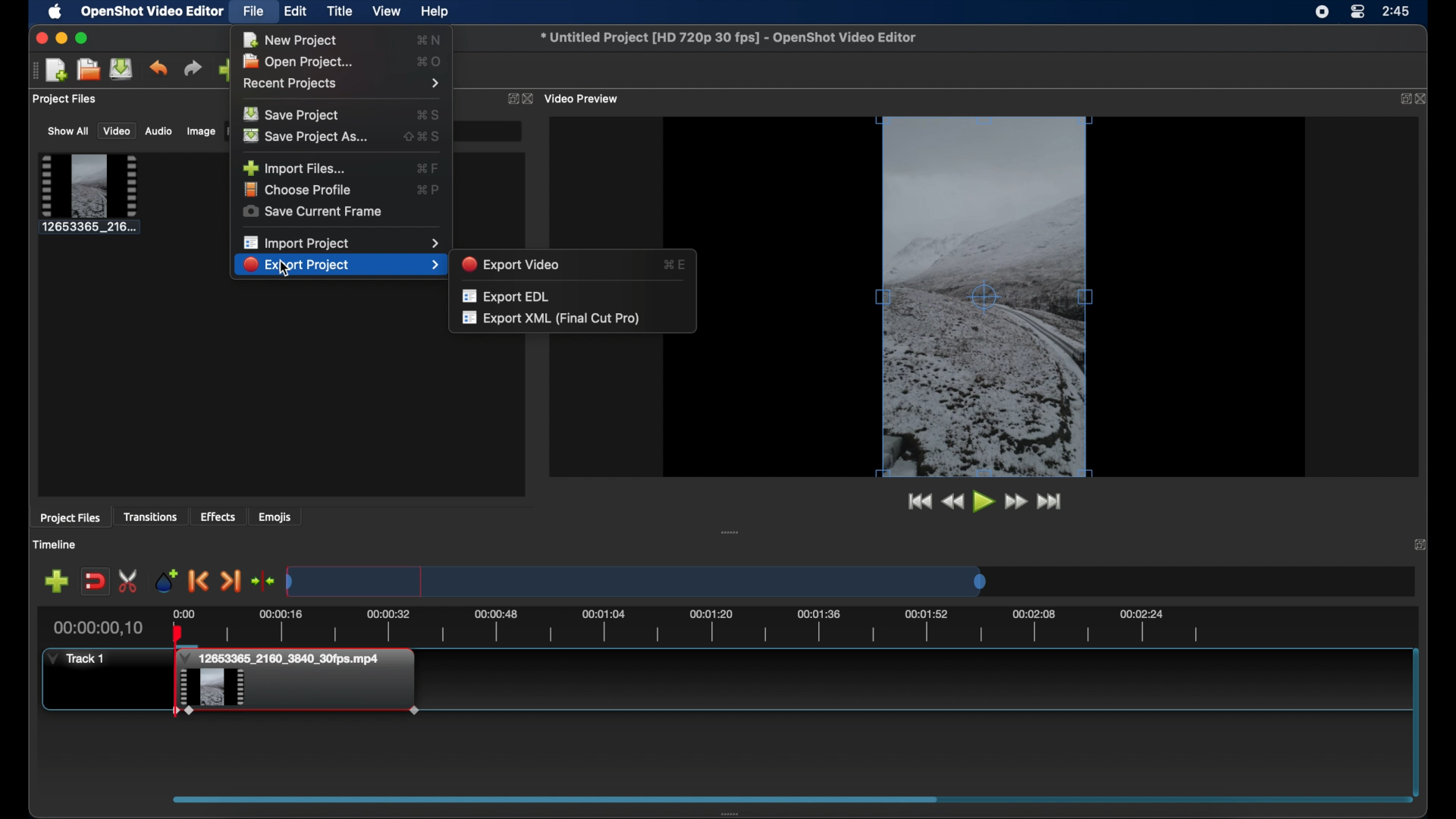  Describe the element at coordinates (55, 12) in the screenshot. I see `apple icon` at that location.